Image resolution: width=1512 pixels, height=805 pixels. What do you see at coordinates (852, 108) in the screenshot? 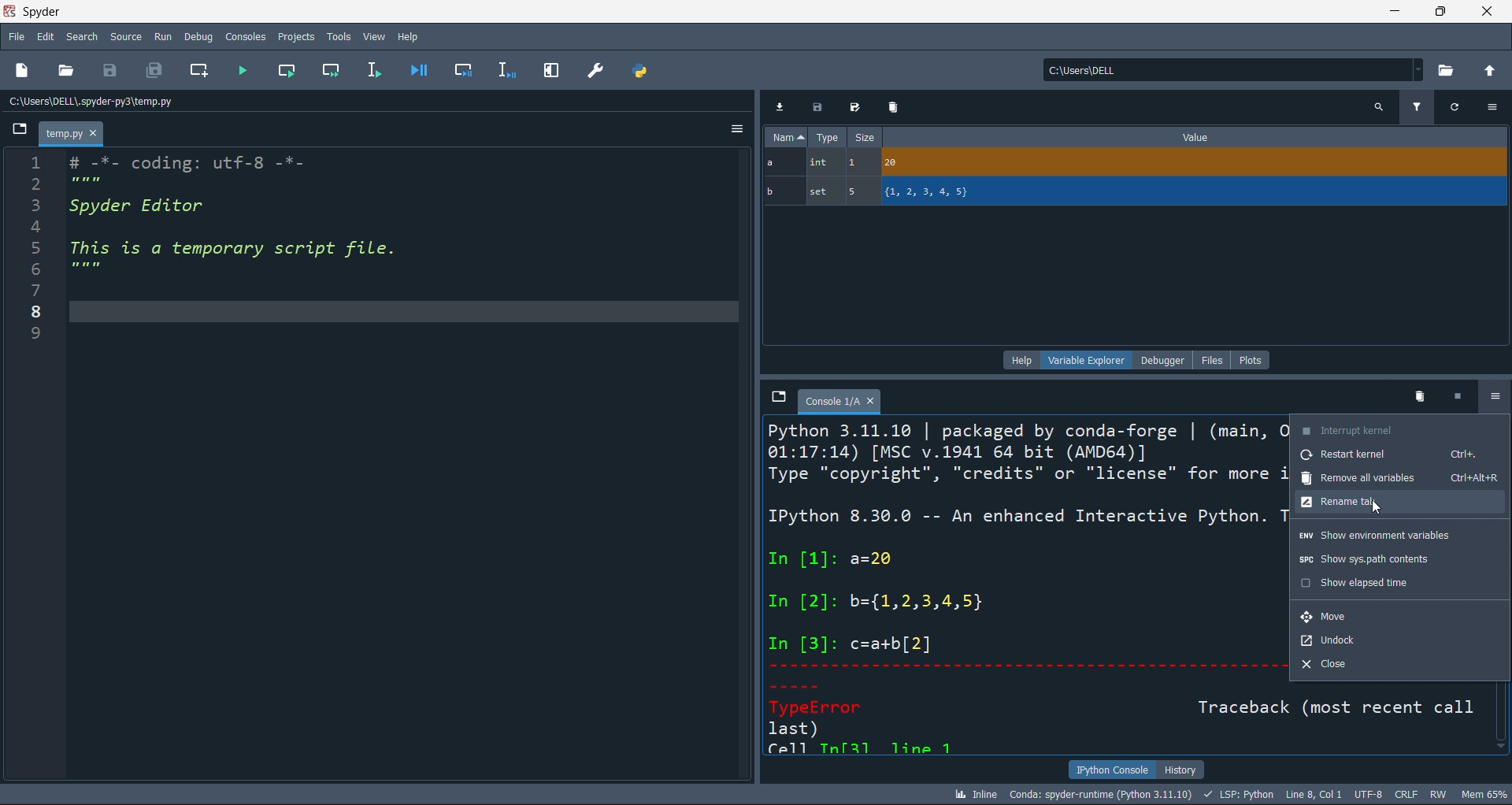
I see `save data as` at bounding box center [852, 108].